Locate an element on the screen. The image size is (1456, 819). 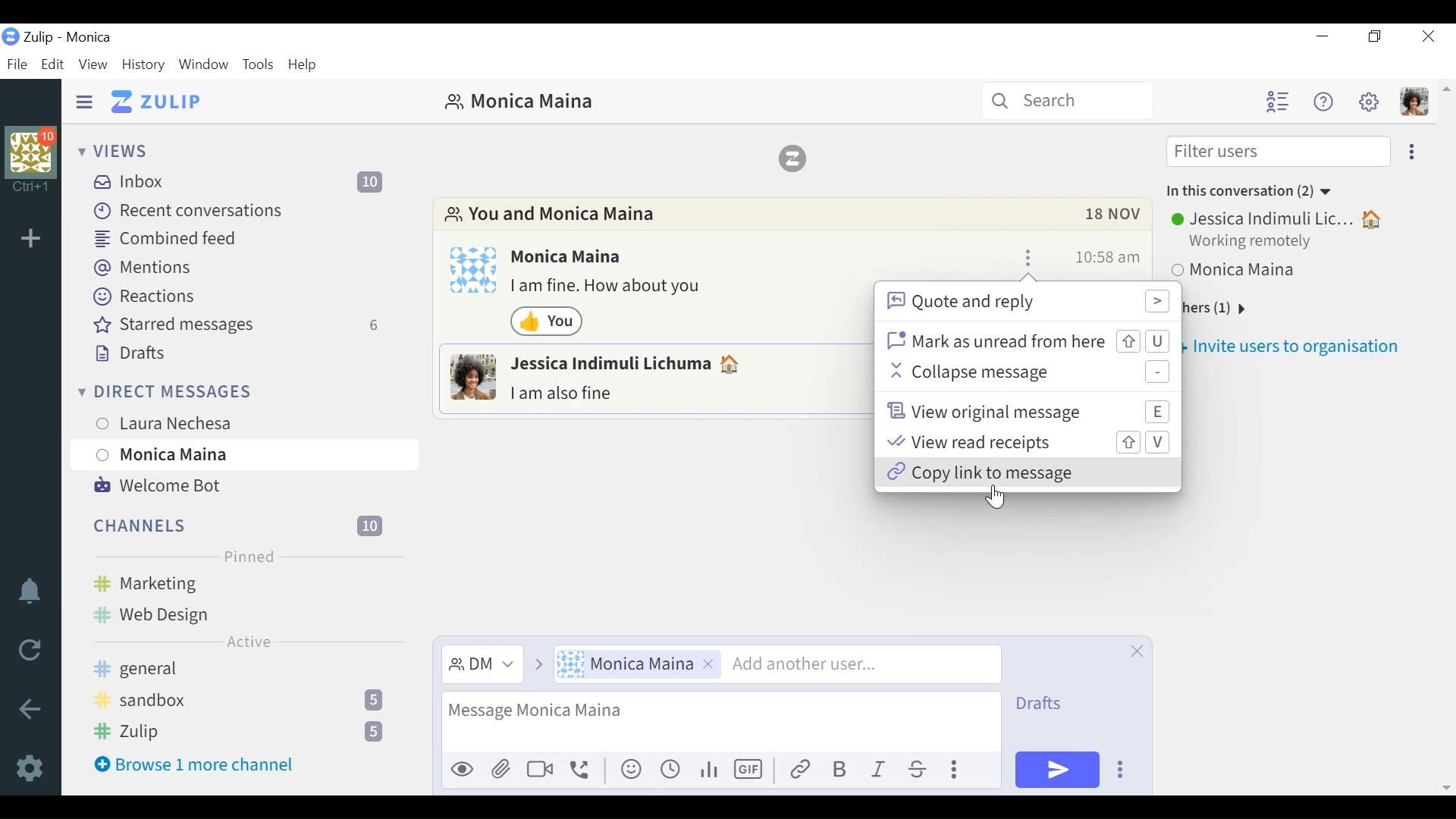
Ellipsis is located at coordinates (1029, 256).